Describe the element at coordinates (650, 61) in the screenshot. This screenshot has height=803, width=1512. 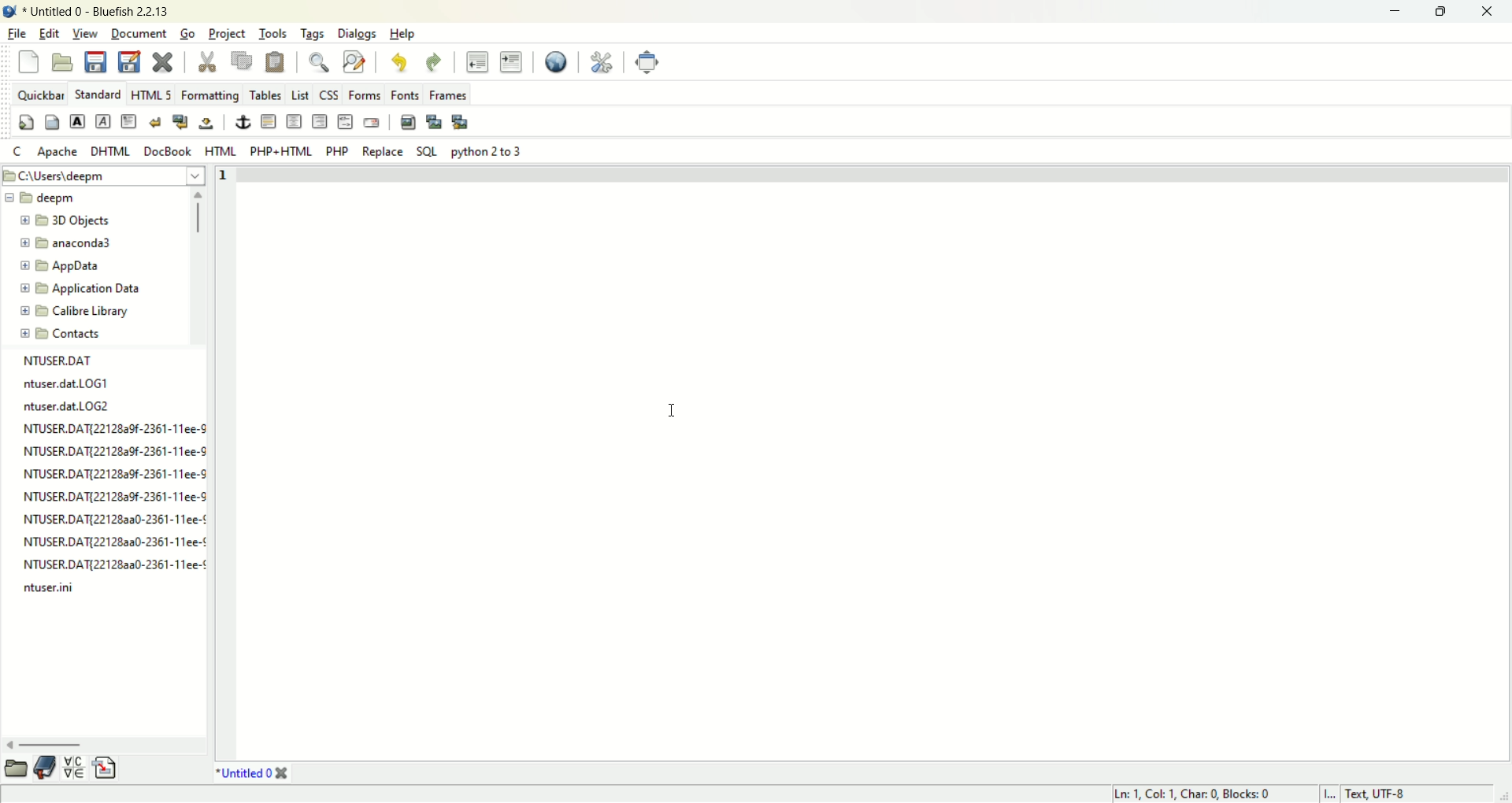
I see `fullscreen` at that location.